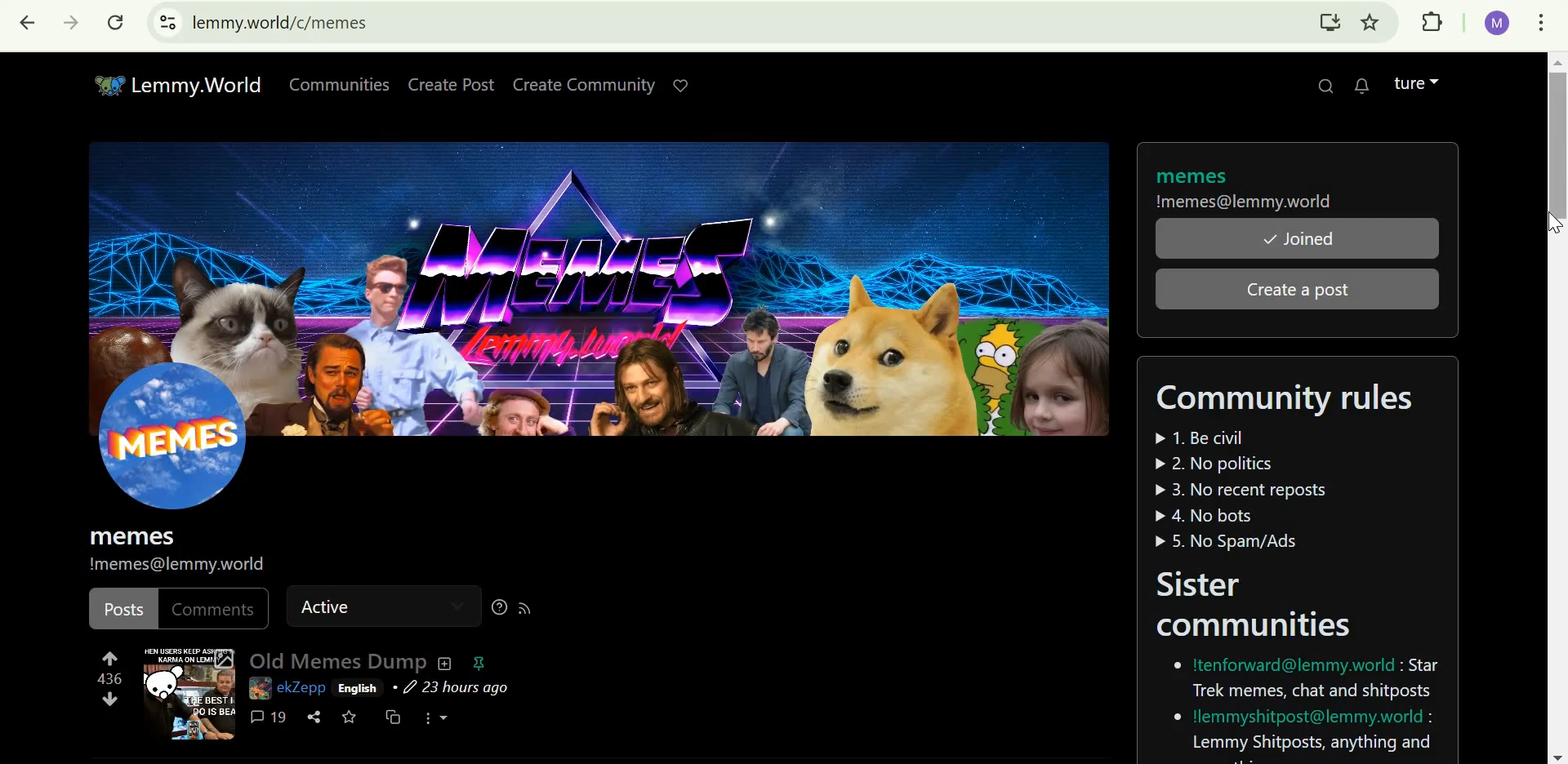 This screenshot has width=1568, height=764. What do you see at coordinates (1417, 82) in the screenshot?
I see `lemmy account` at bounding box center [1417, 82].